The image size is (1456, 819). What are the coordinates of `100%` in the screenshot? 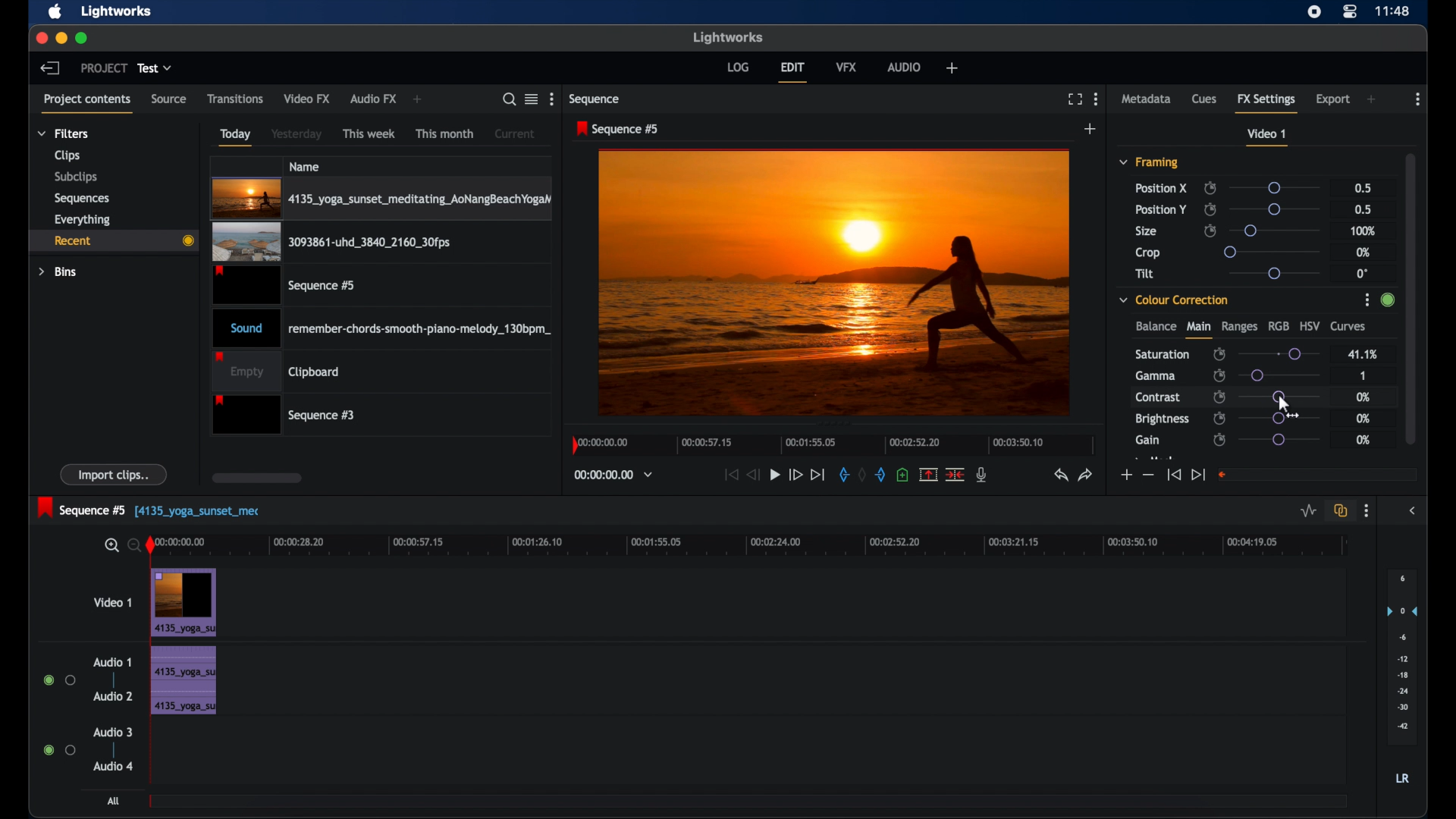 It's located at (1363, 231).